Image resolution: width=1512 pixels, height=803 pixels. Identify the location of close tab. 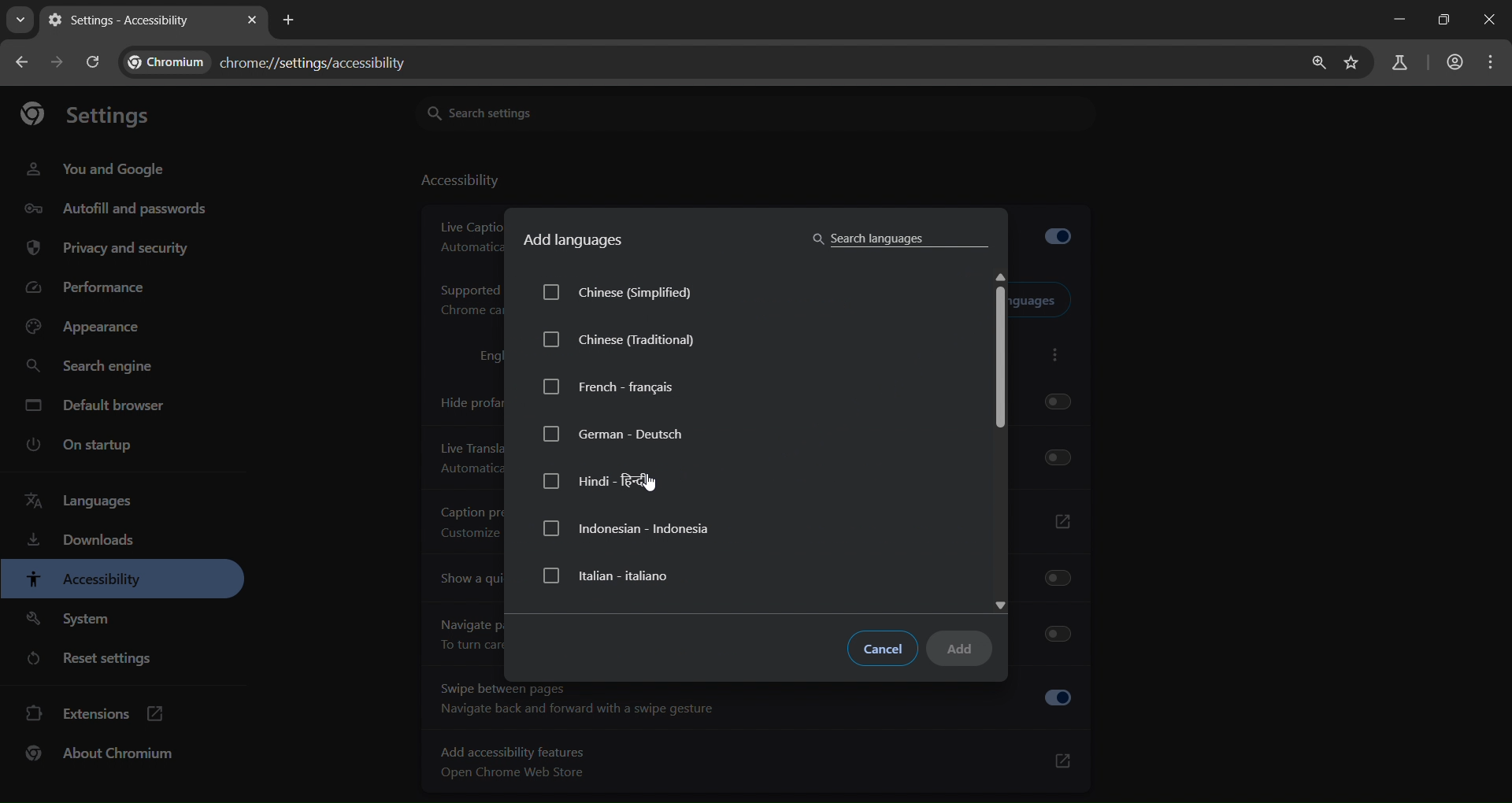
(252, 21).